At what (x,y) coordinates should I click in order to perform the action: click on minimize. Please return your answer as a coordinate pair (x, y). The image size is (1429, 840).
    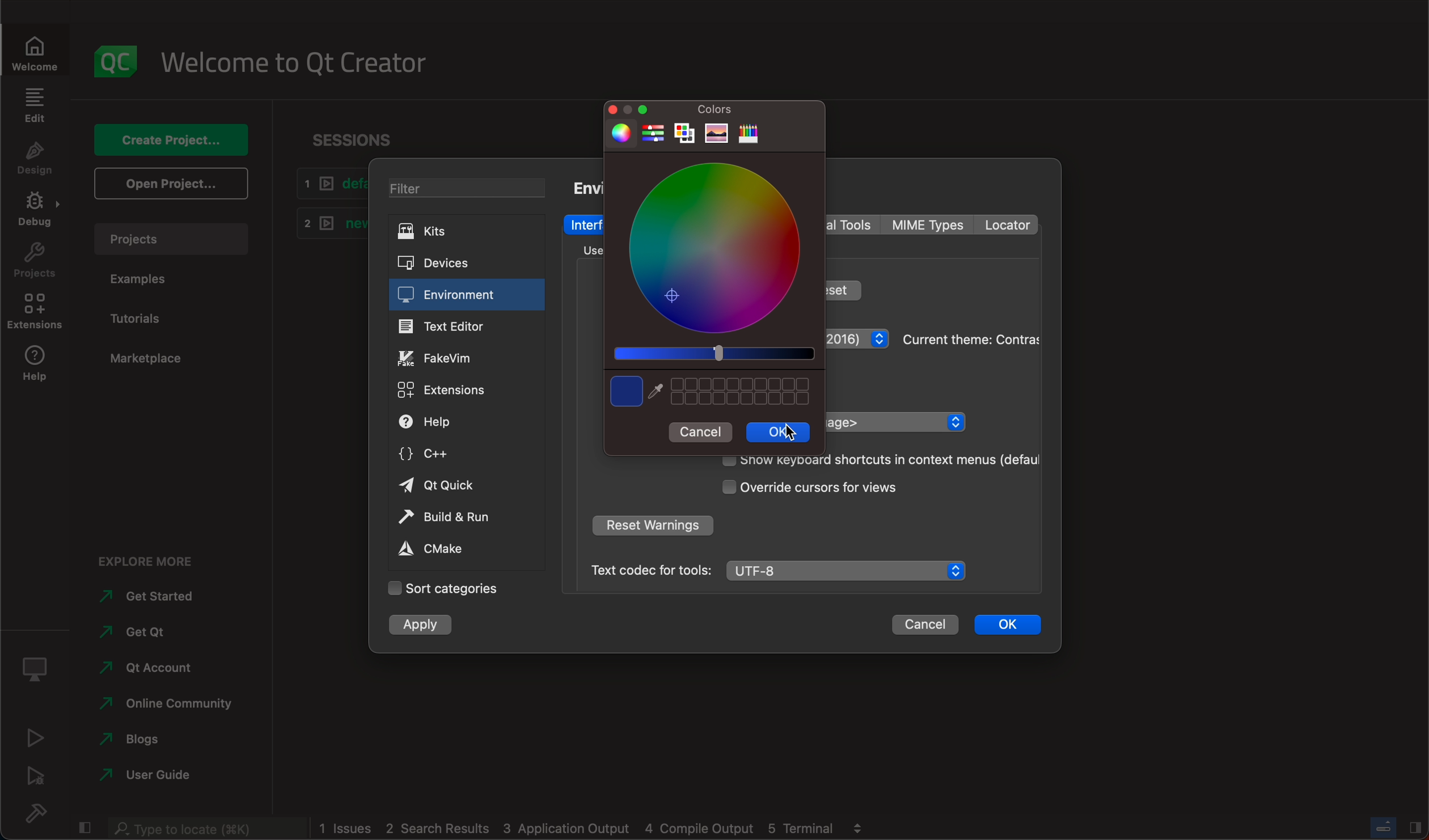
    Looking at the image, I should click on (645, 108).